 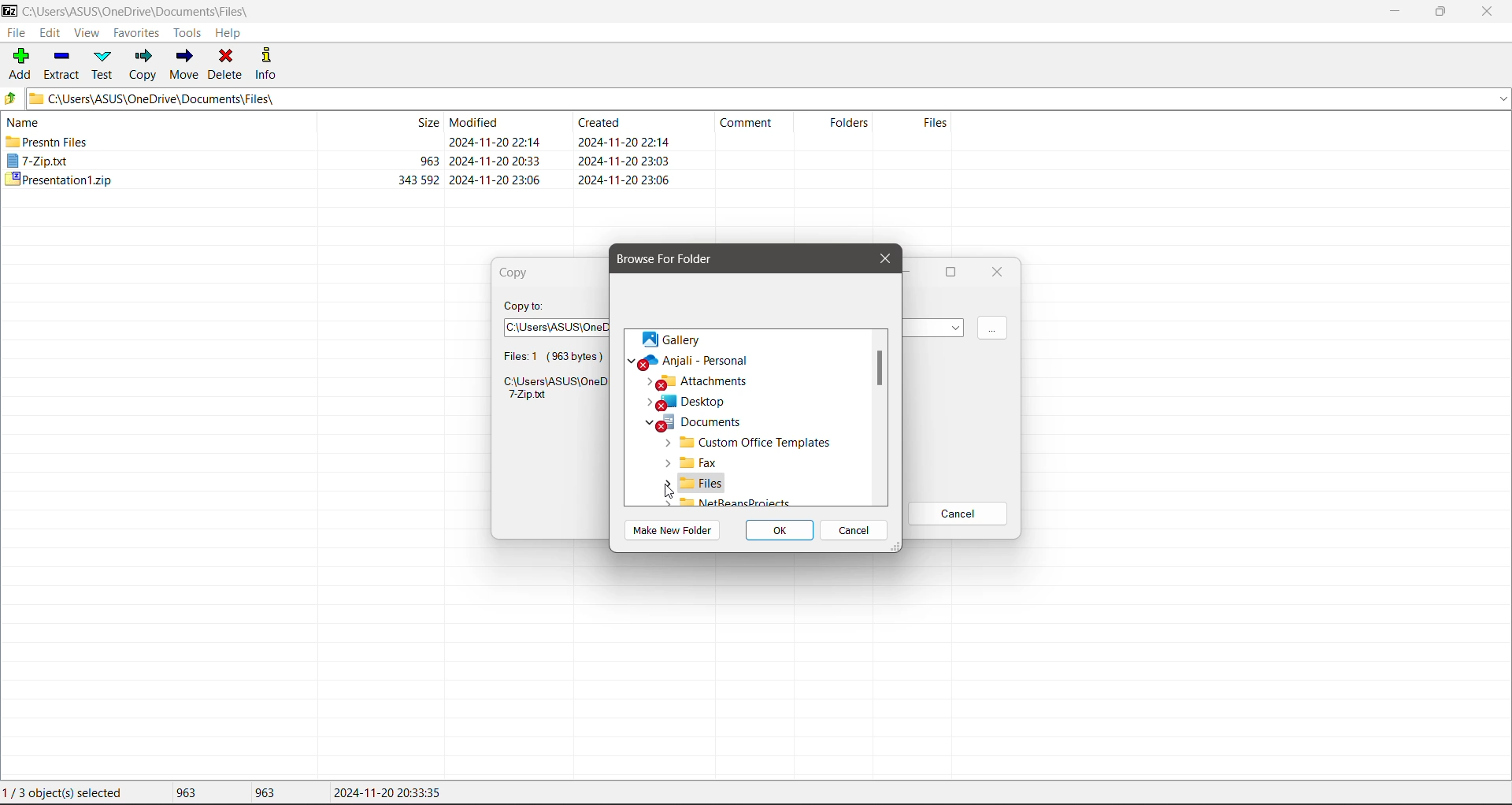 I want to click on Edit, so click(x=53, y=33).